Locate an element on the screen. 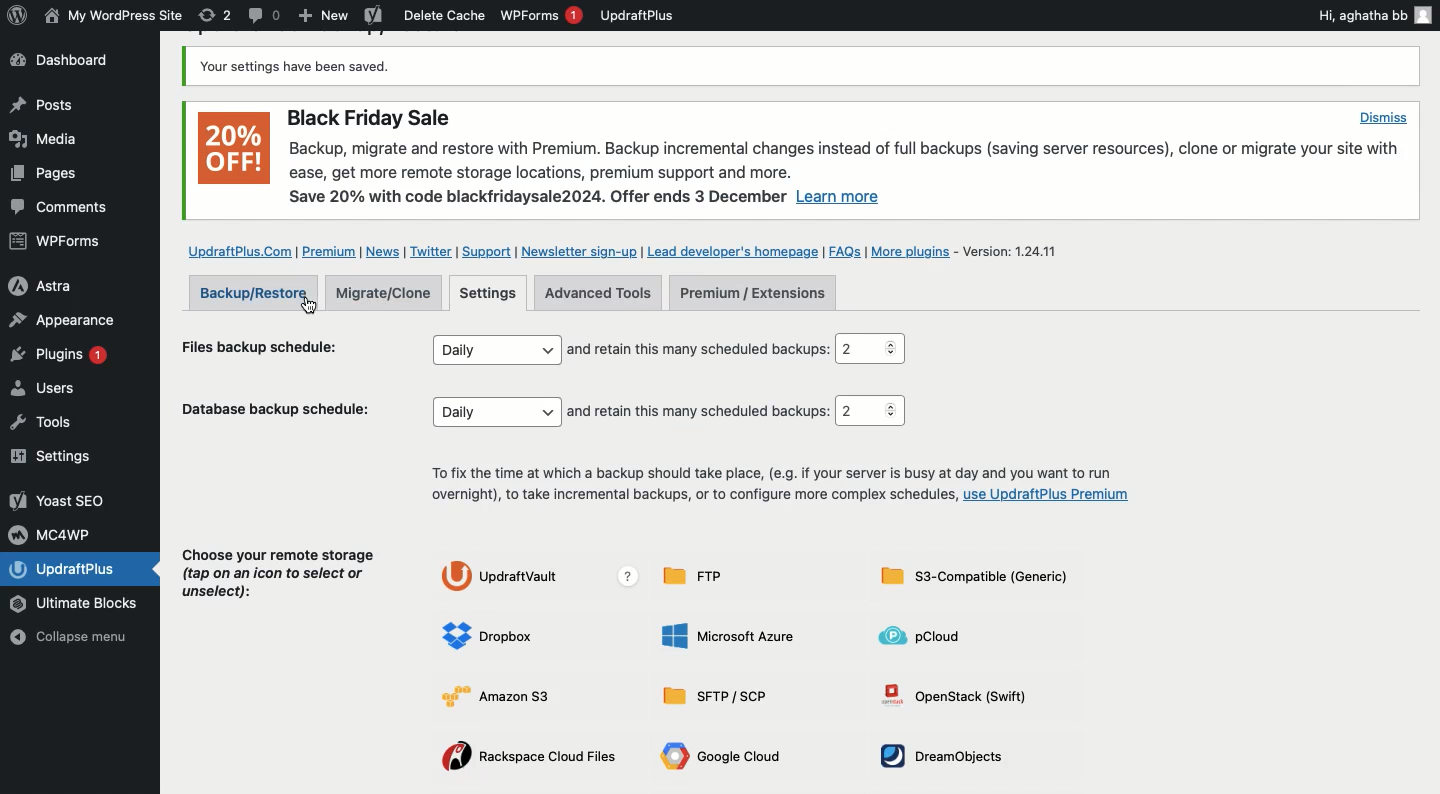 Image resolution: width=1440 pixels, height=794 pixels. Amazons3 is located at coordinates (496, 698).